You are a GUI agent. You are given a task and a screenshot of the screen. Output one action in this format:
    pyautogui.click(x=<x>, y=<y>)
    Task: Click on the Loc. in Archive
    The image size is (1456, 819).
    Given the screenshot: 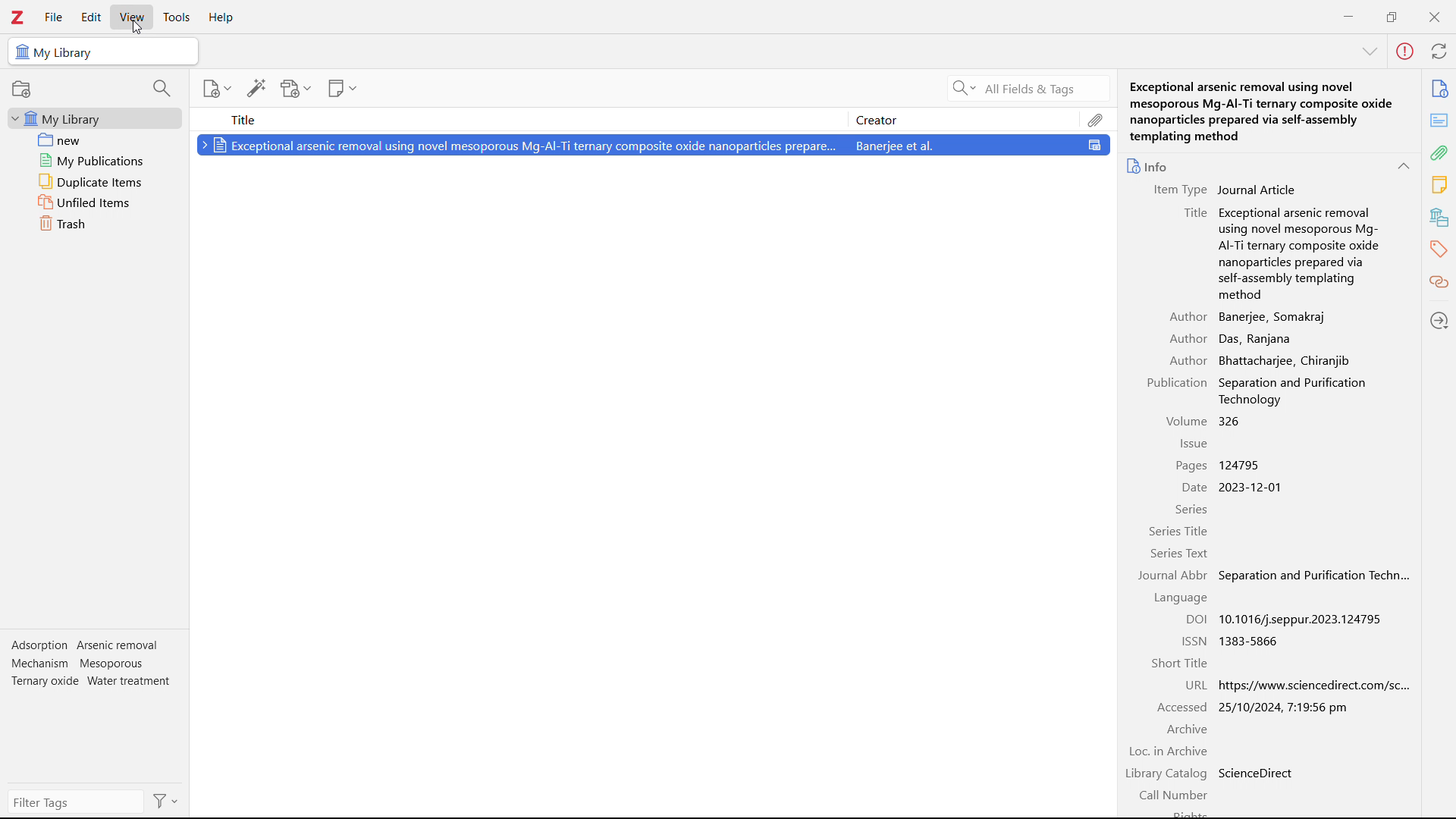 What is the action you would take?
    pyautogui.click(x=1169, y=751)
    